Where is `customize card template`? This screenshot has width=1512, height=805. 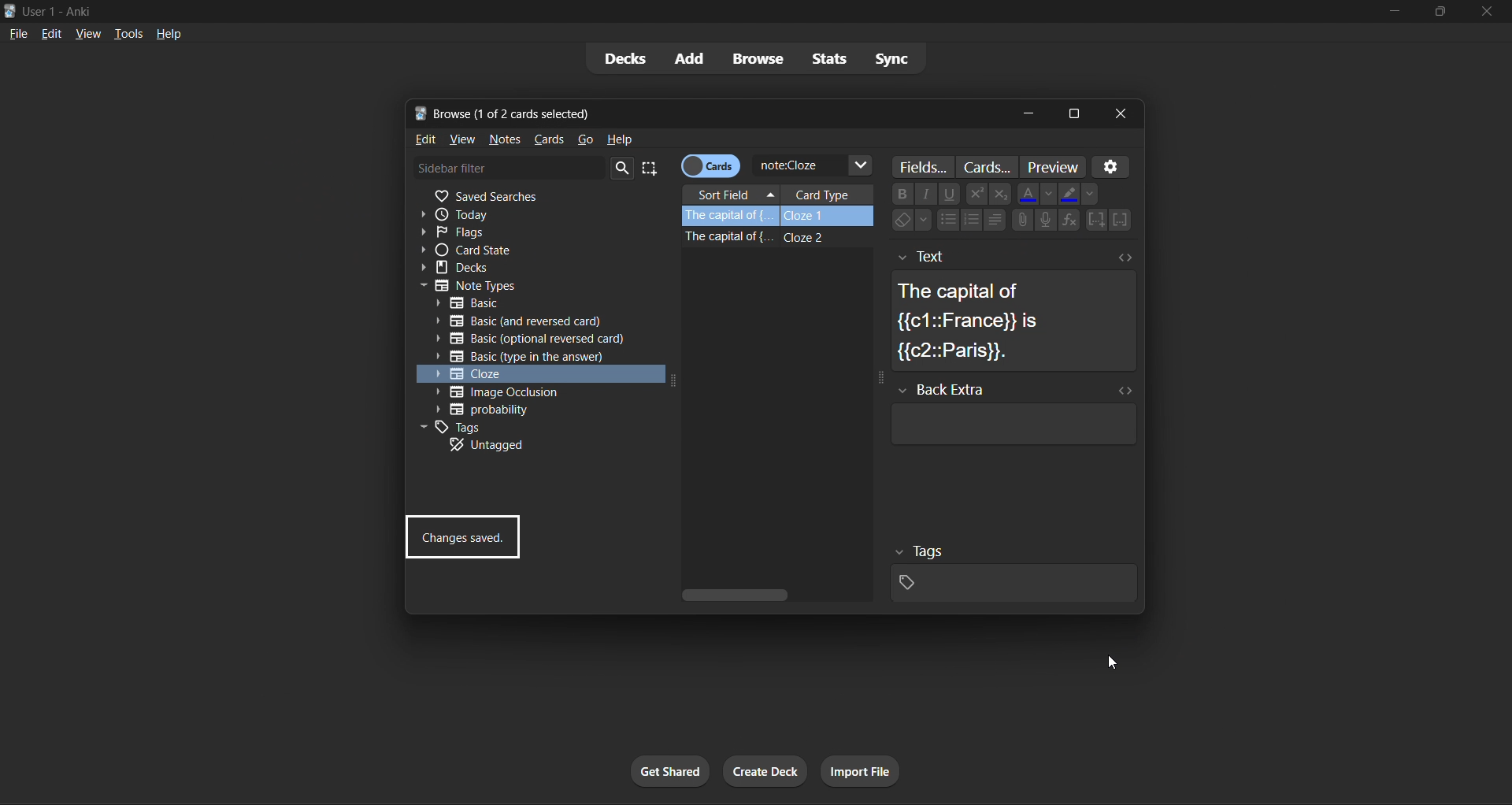
customize card template is located at coordinates (988, 168).